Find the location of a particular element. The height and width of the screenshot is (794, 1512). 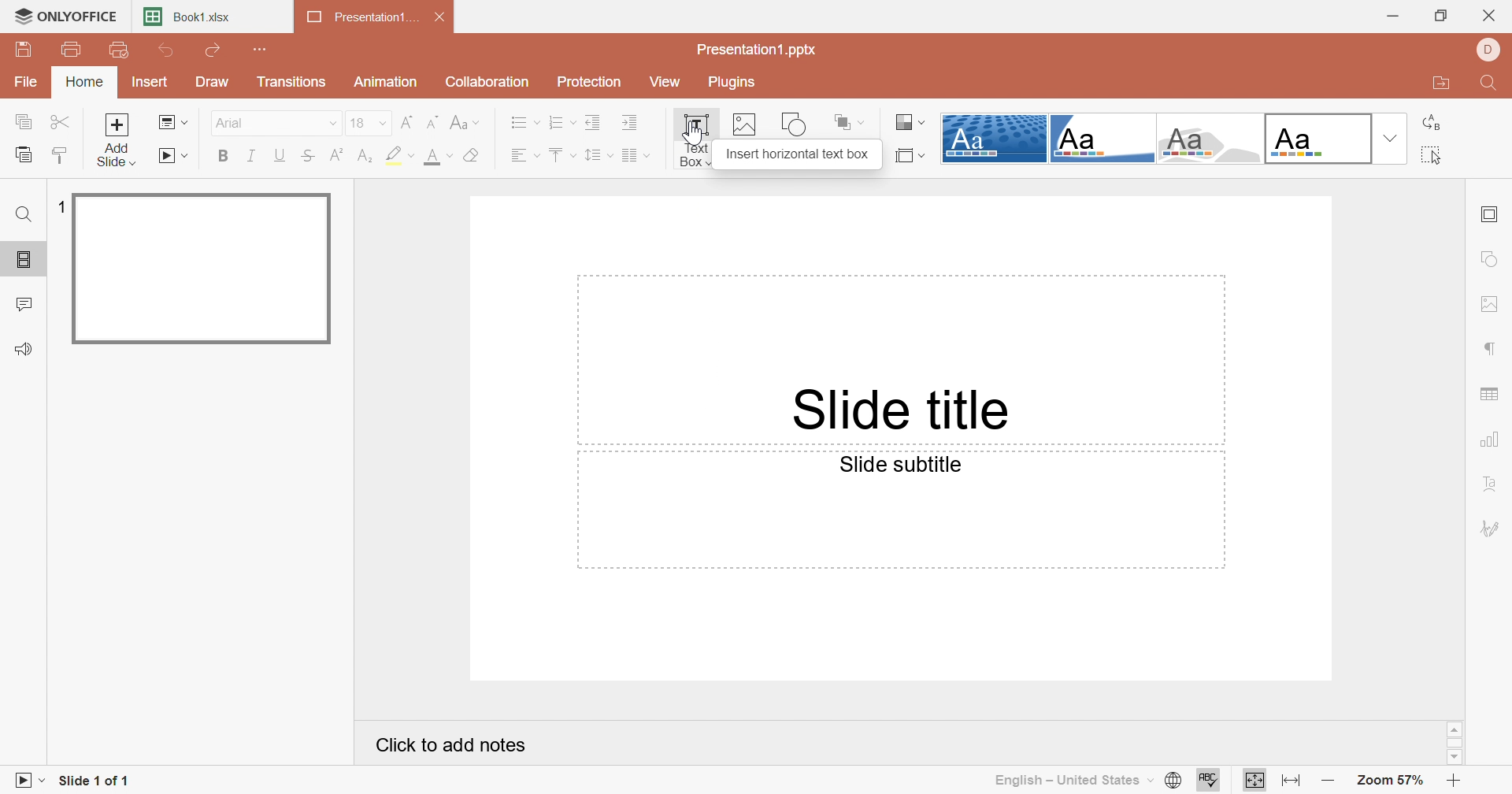

Presentation1.pptx is located at coordinates (757, 51).